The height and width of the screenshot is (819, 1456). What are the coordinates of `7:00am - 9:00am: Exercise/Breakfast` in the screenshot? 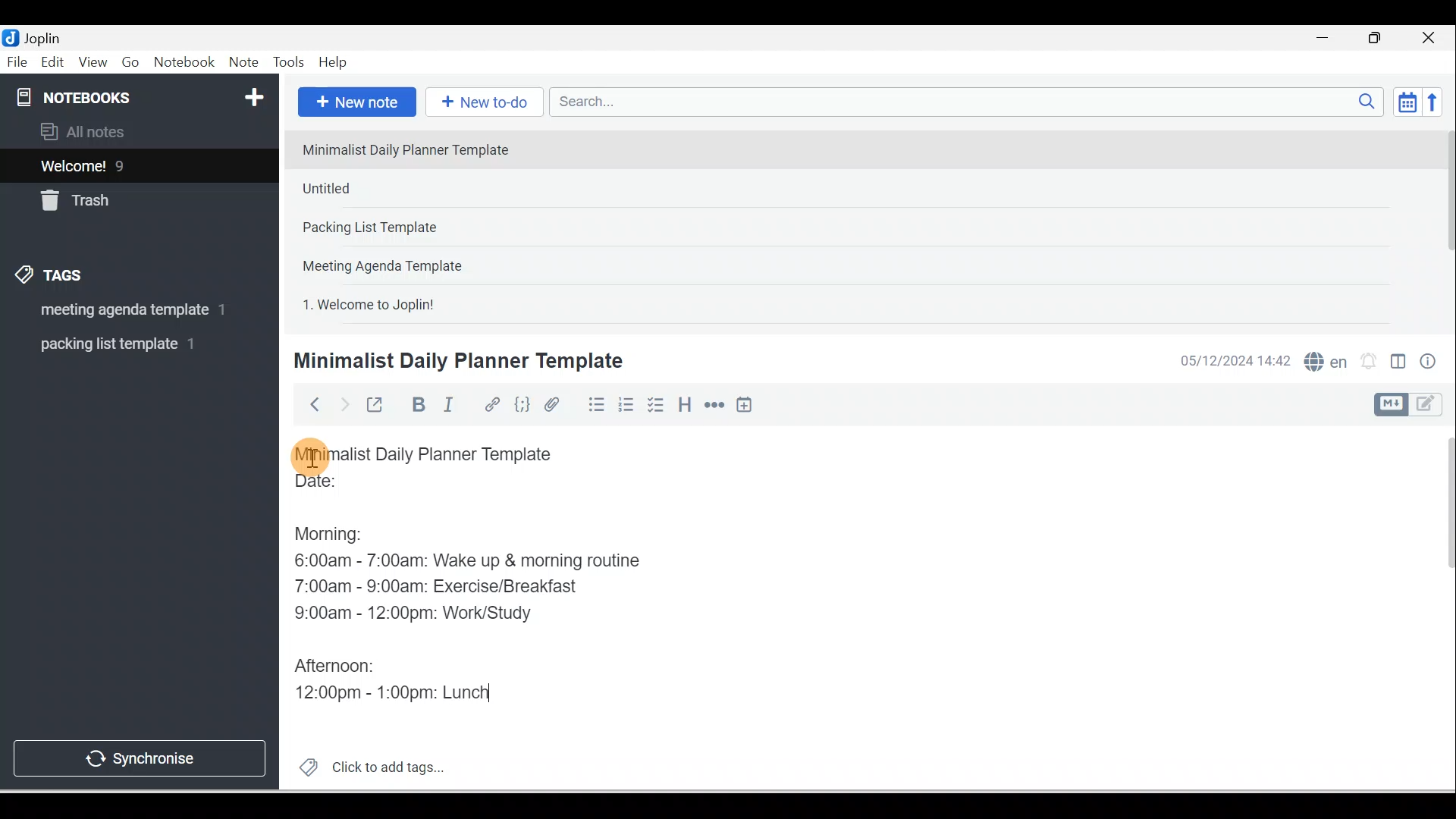 It's located at (439, 585).